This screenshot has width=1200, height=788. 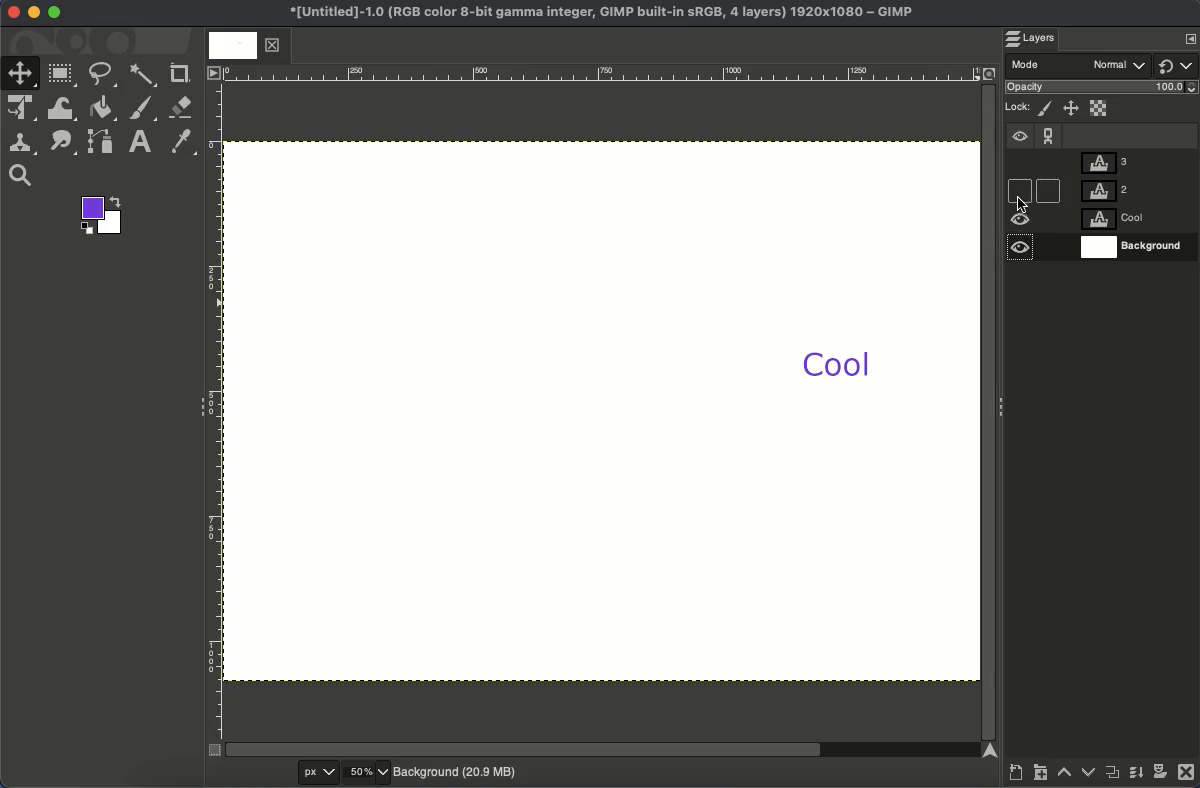 I want to click on Close, so click(x=1186, y=775).